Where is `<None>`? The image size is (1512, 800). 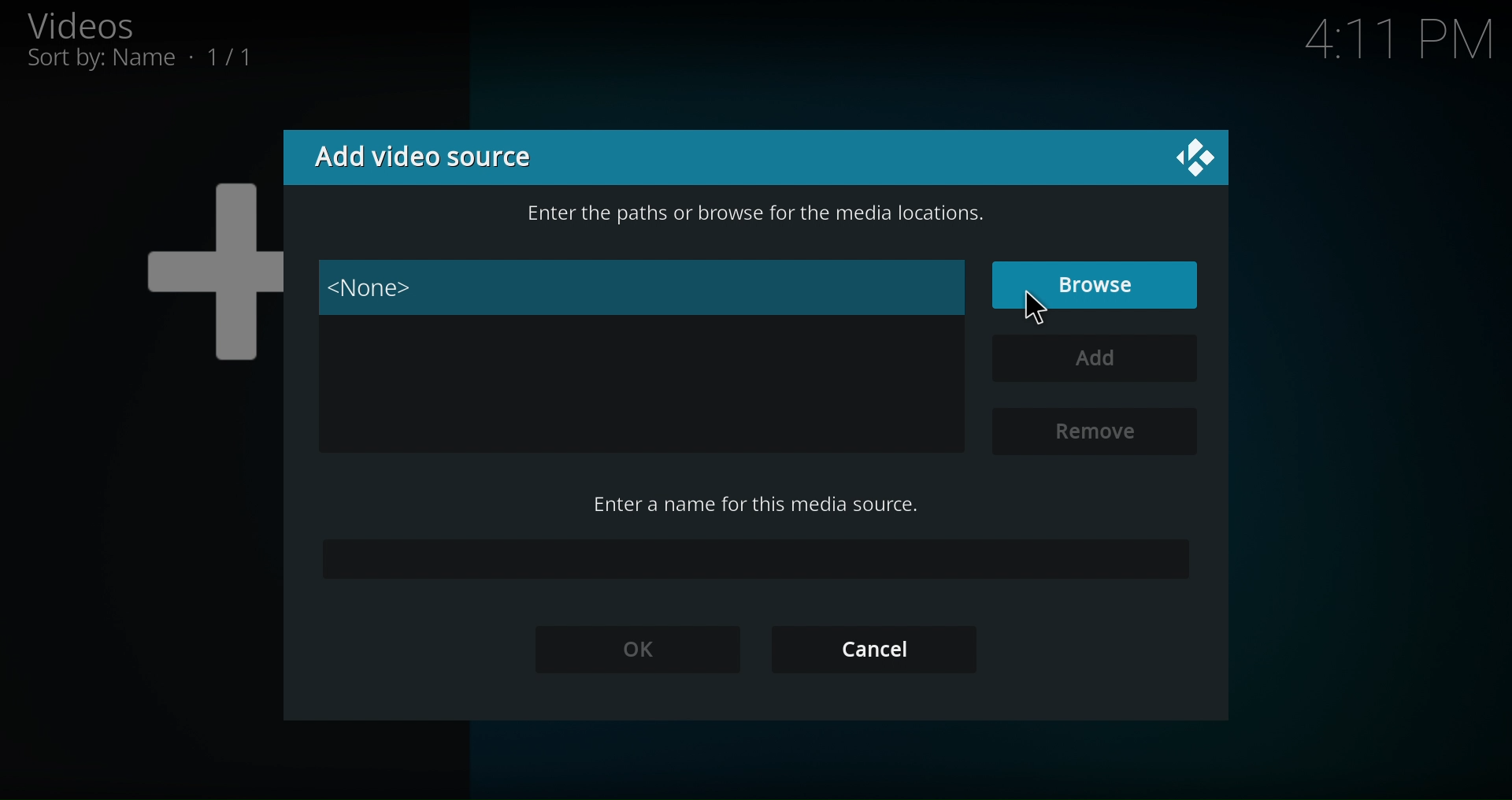 <None> is located at coordinates (643, 287).